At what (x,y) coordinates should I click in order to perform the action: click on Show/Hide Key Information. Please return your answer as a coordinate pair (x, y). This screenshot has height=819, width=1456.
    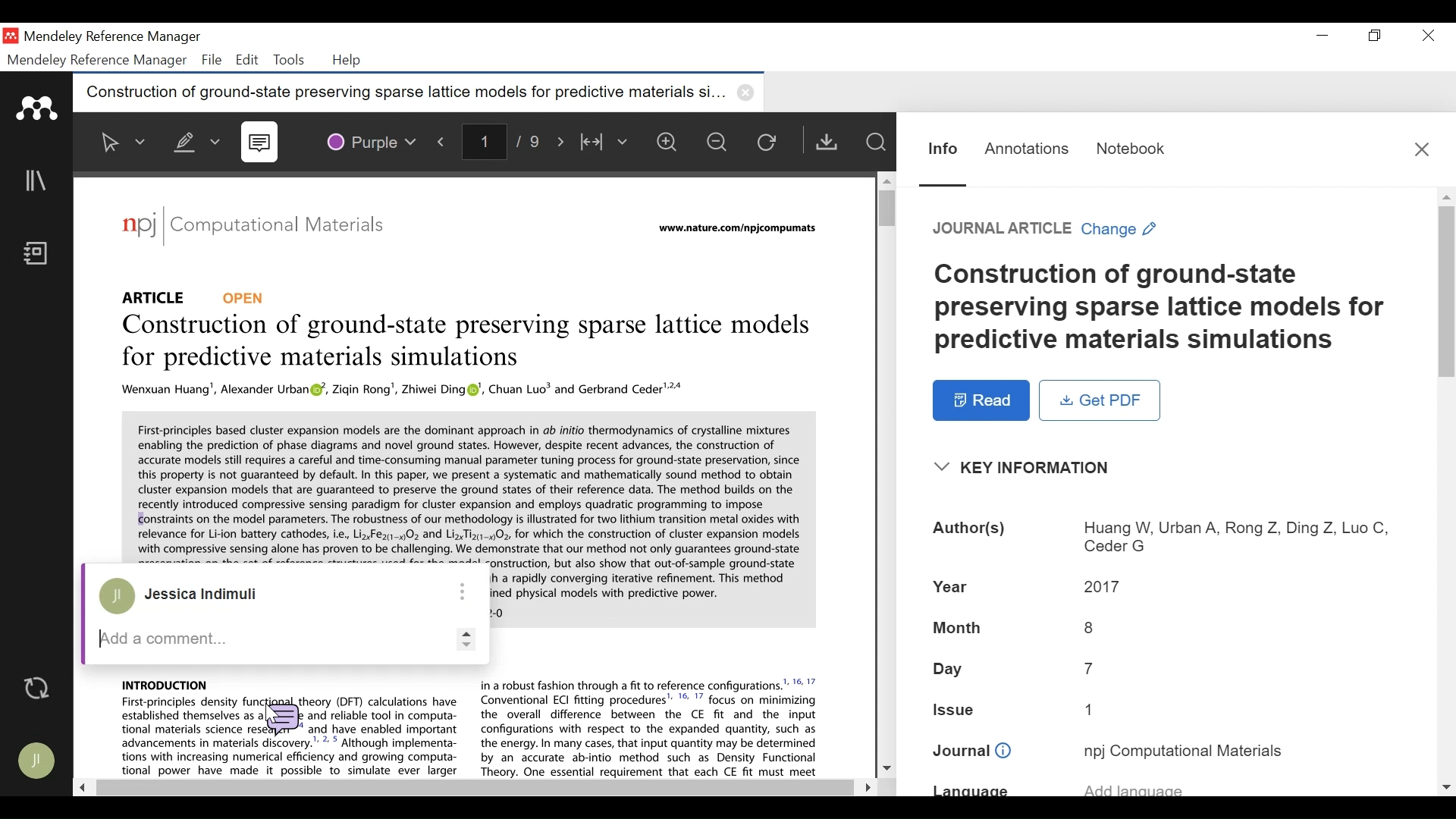
    Looking at the image, I should click on (1028, 468).